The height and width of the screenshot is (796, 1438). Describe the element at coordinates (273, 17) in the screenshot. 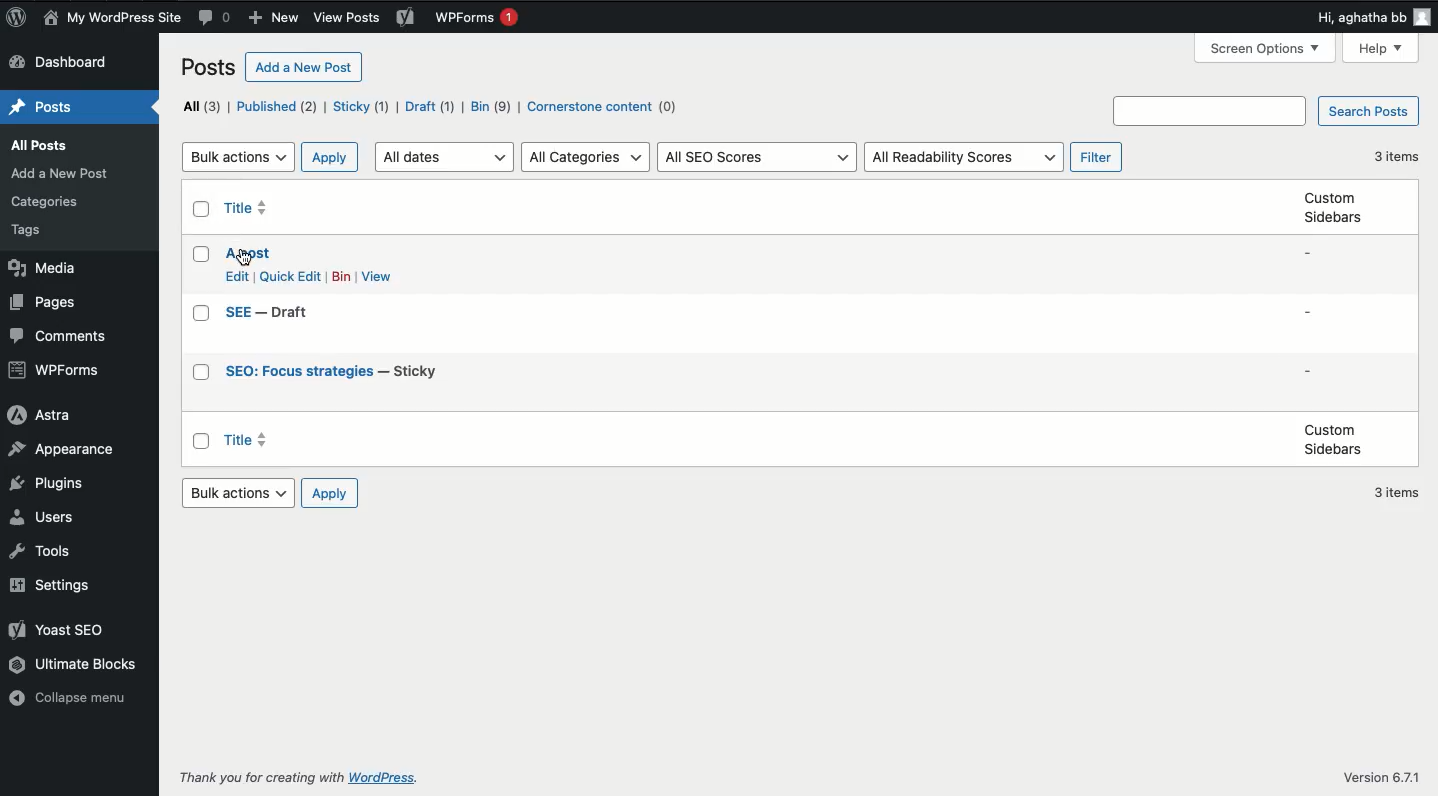

I see `New` at that location.